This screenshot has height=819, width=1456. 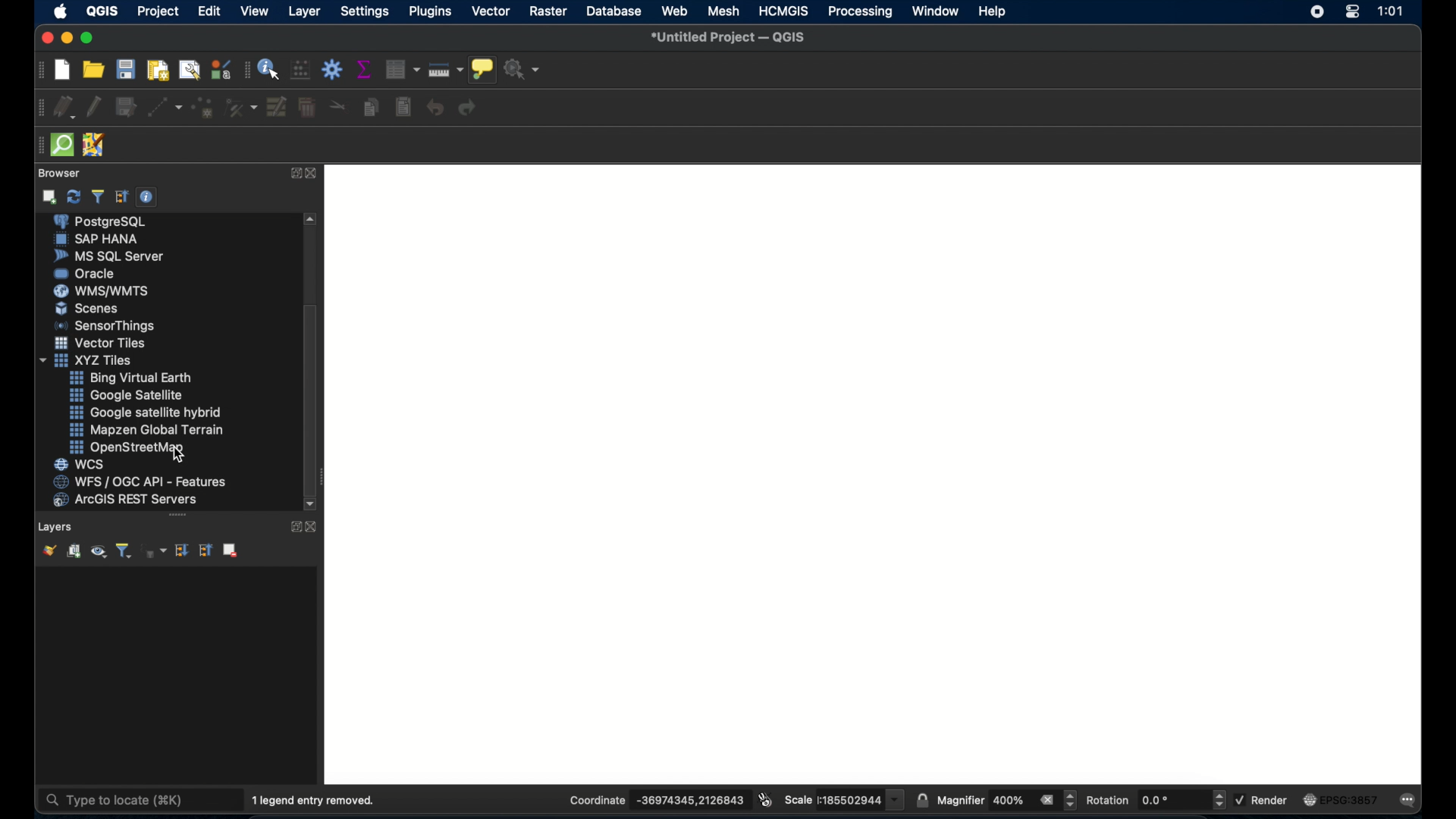 I want to click on no action selected, so click(x=523, y=71).